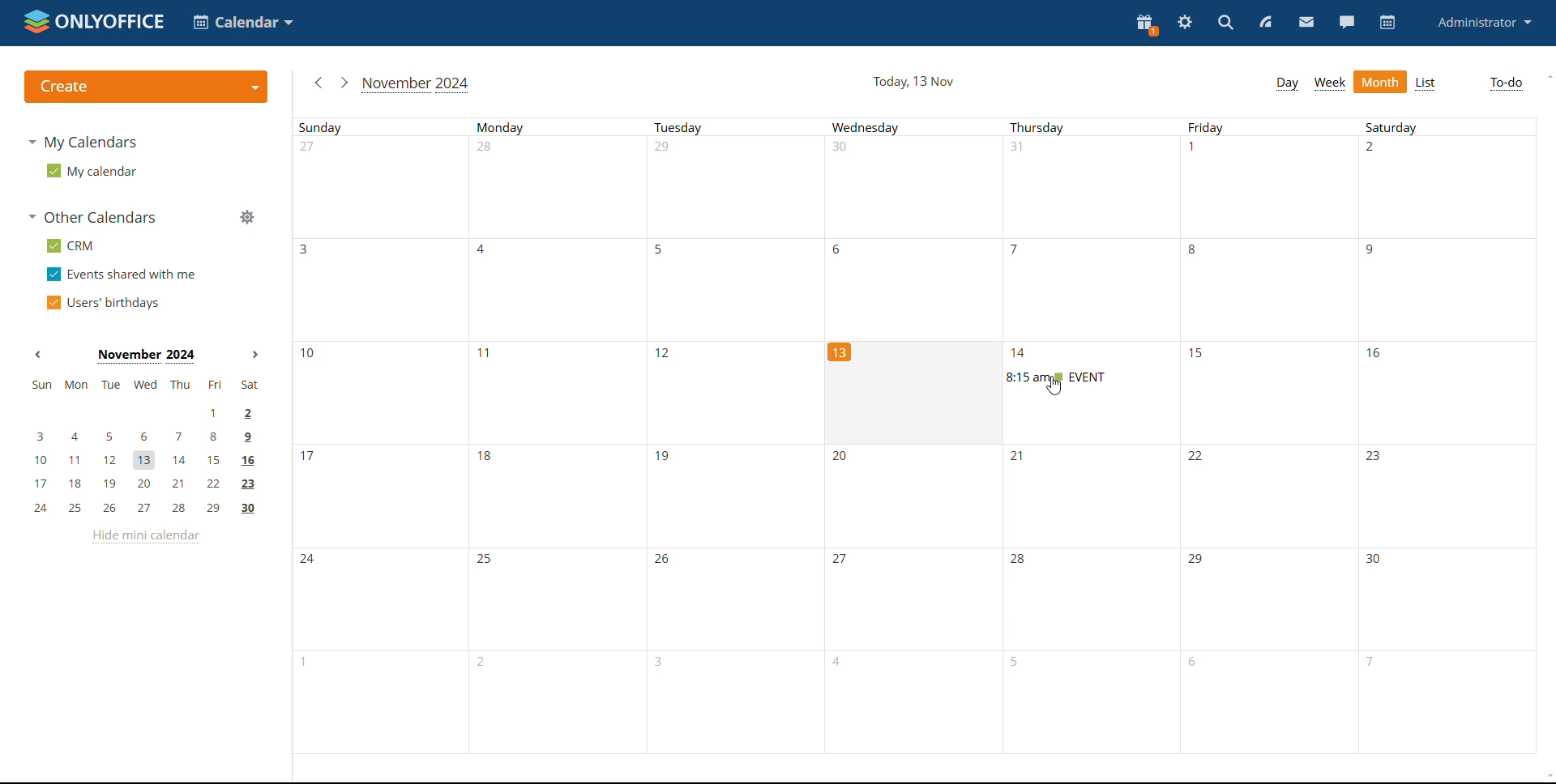 The width and height of the screenshot is (1556, 784). Describe the element at coordinates (85, 143) in the screenshot. I see `my calendars` at that location.